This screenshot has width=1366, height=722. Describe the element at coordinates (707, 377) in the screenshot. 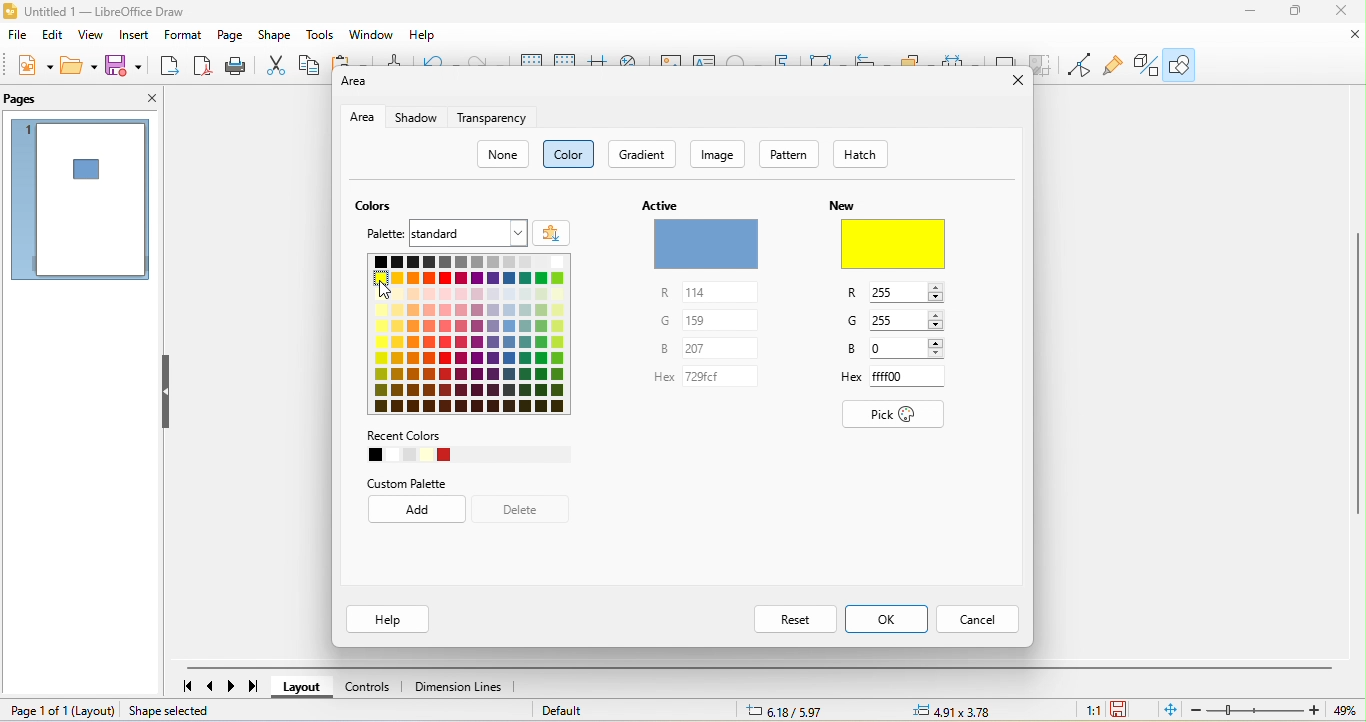

I see `hex 729 cf` at that location.